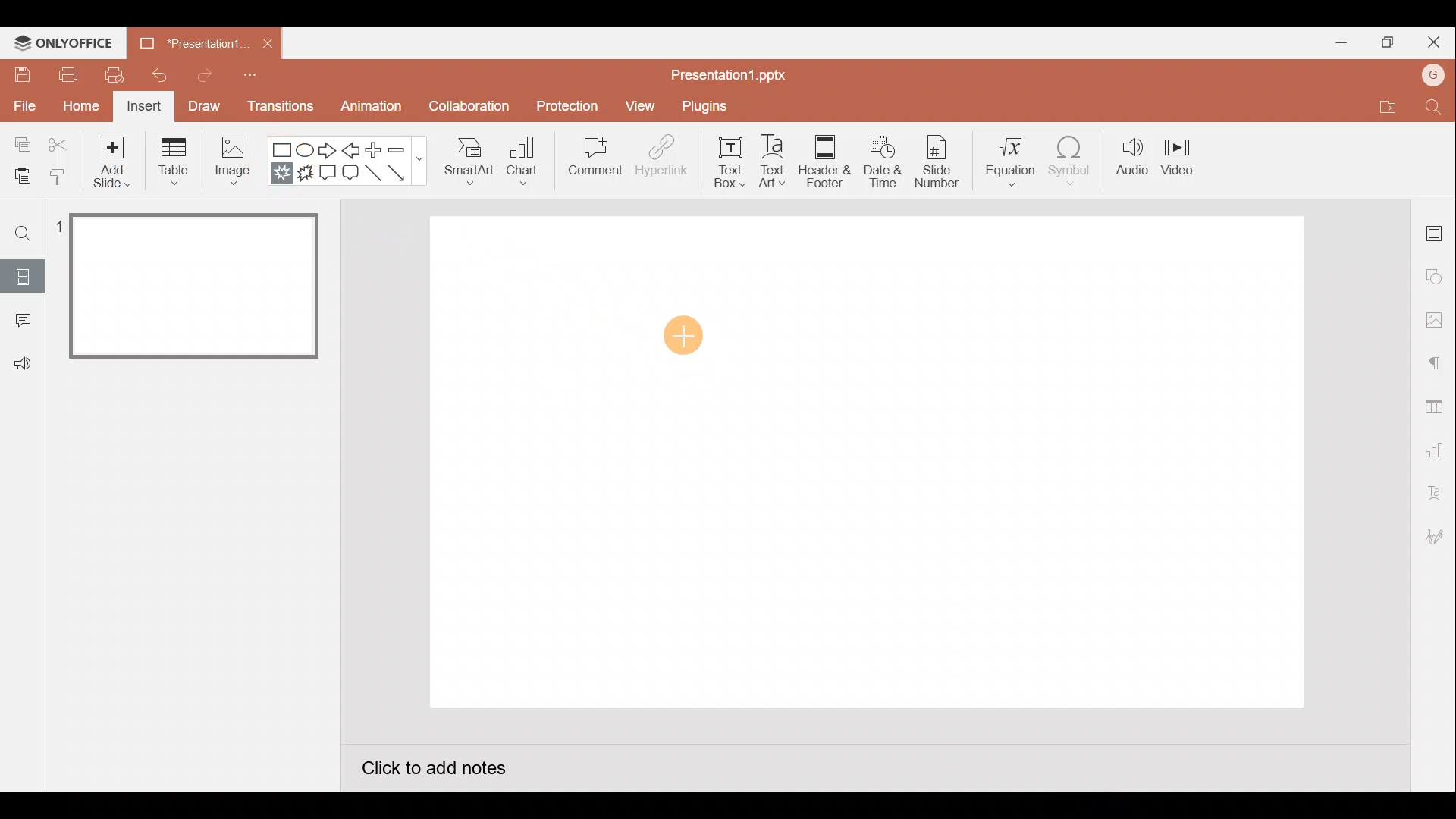 The image size is (1456, 819). What do you see at coordinates (1434, 490) in the screenshot?
I see `Text Art settings` at bounding box center [1434, 490].